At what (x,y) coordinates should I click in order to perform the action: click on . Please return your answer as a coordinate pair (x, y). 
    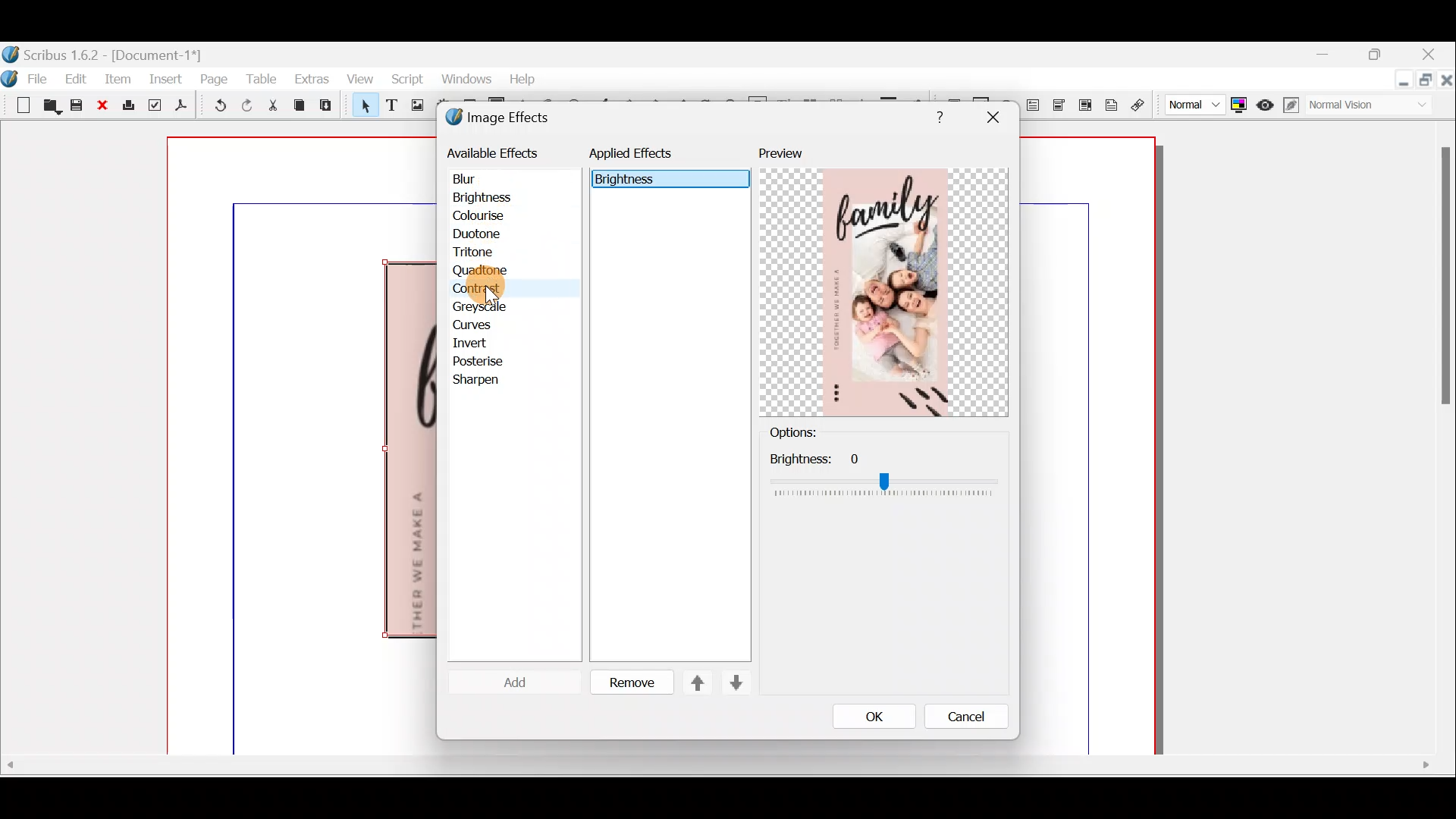
    Looking at the image, I should click on (1442, 283).